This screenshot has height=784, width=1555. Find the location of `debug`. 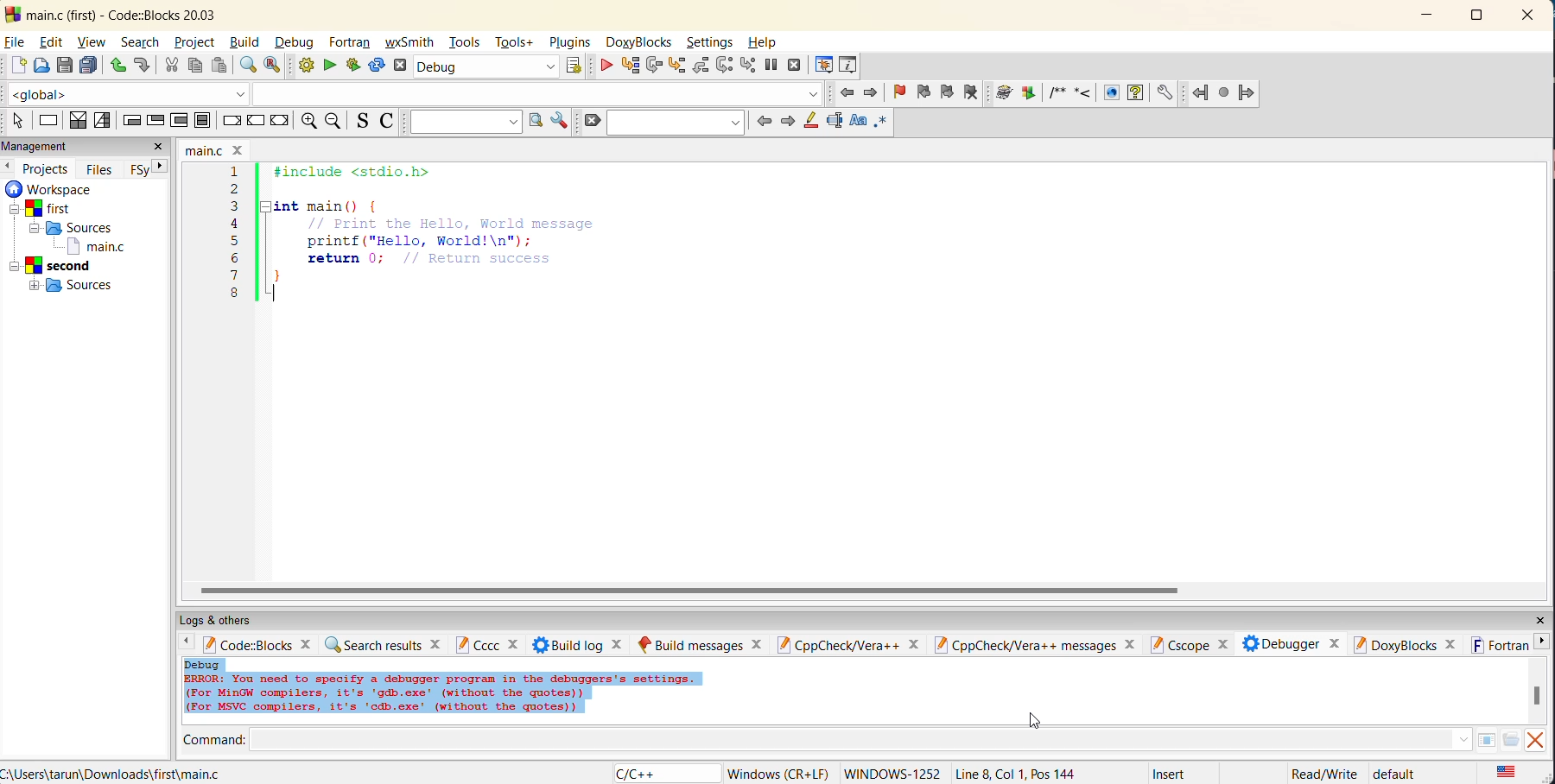

debug is located at coordinates (296, 41).